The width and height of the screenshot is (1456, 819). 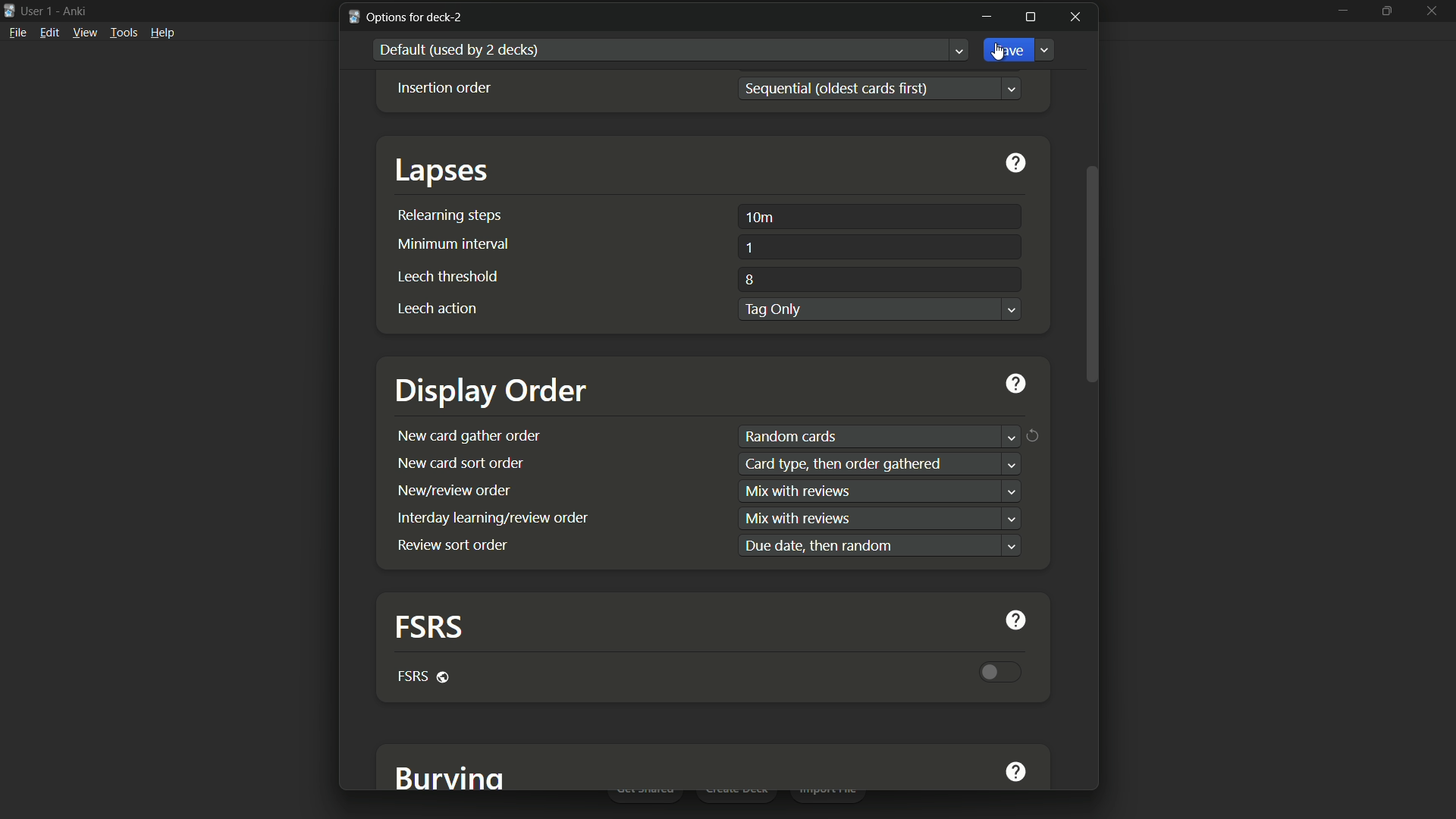 I want to click on options for deck-2, so click(x=407, y=17).